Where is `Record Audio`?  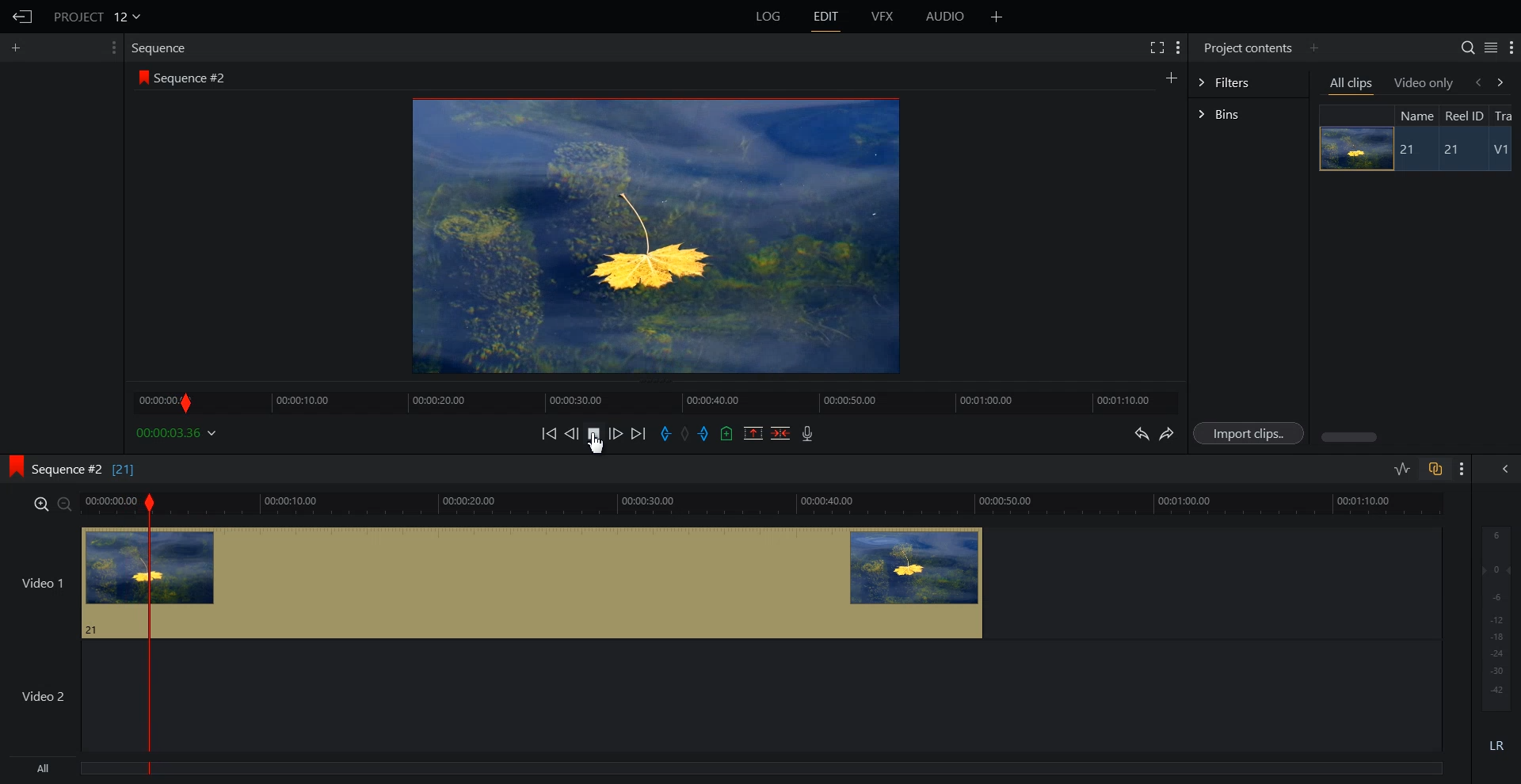
Record Audio is located at coordinates (806, 433).